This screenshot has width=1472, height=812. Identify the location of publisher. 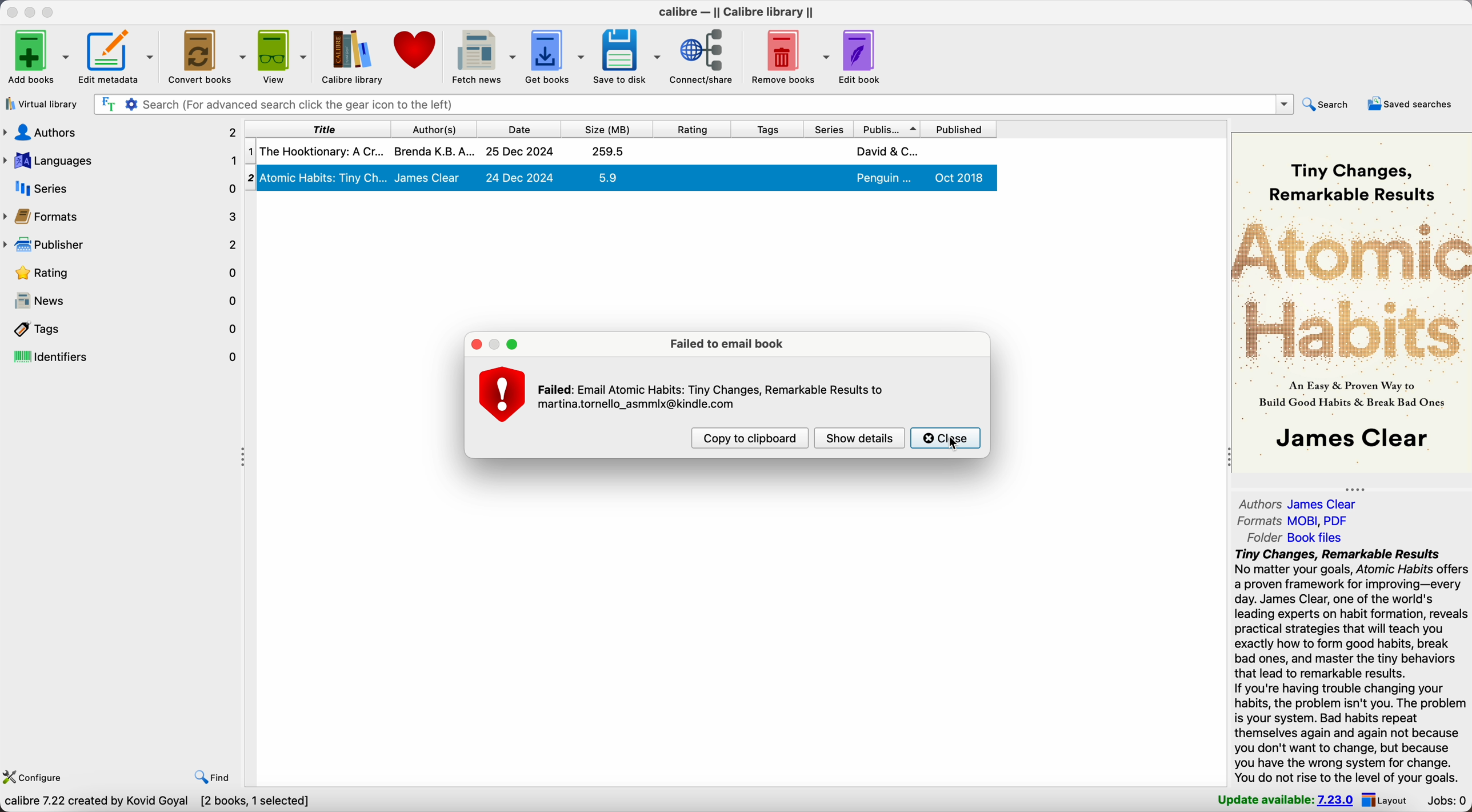
(121, 245).